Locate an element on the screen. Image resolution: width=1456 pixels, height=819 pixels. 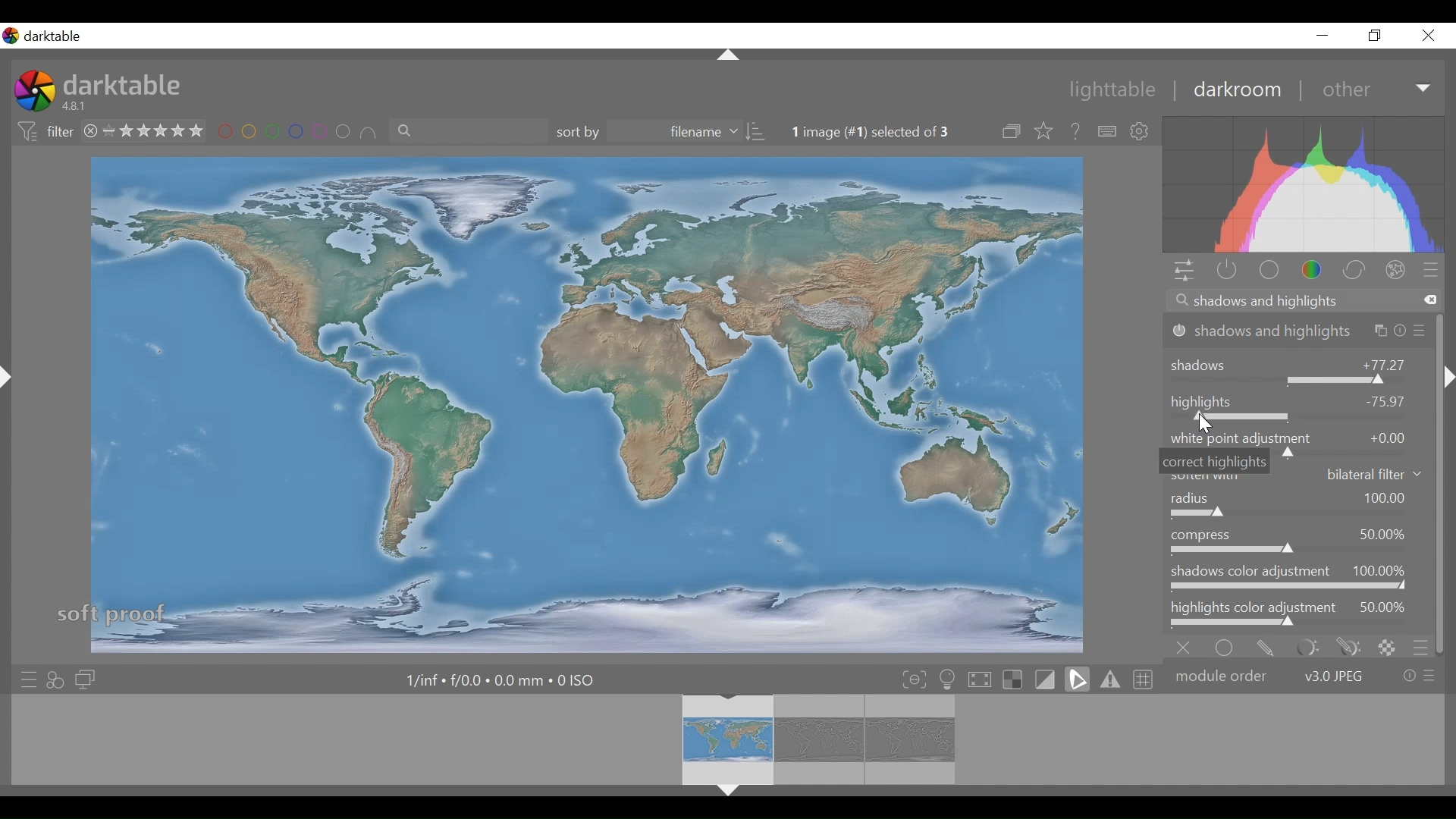
show global preferences is located at coordinates (1144, 131).